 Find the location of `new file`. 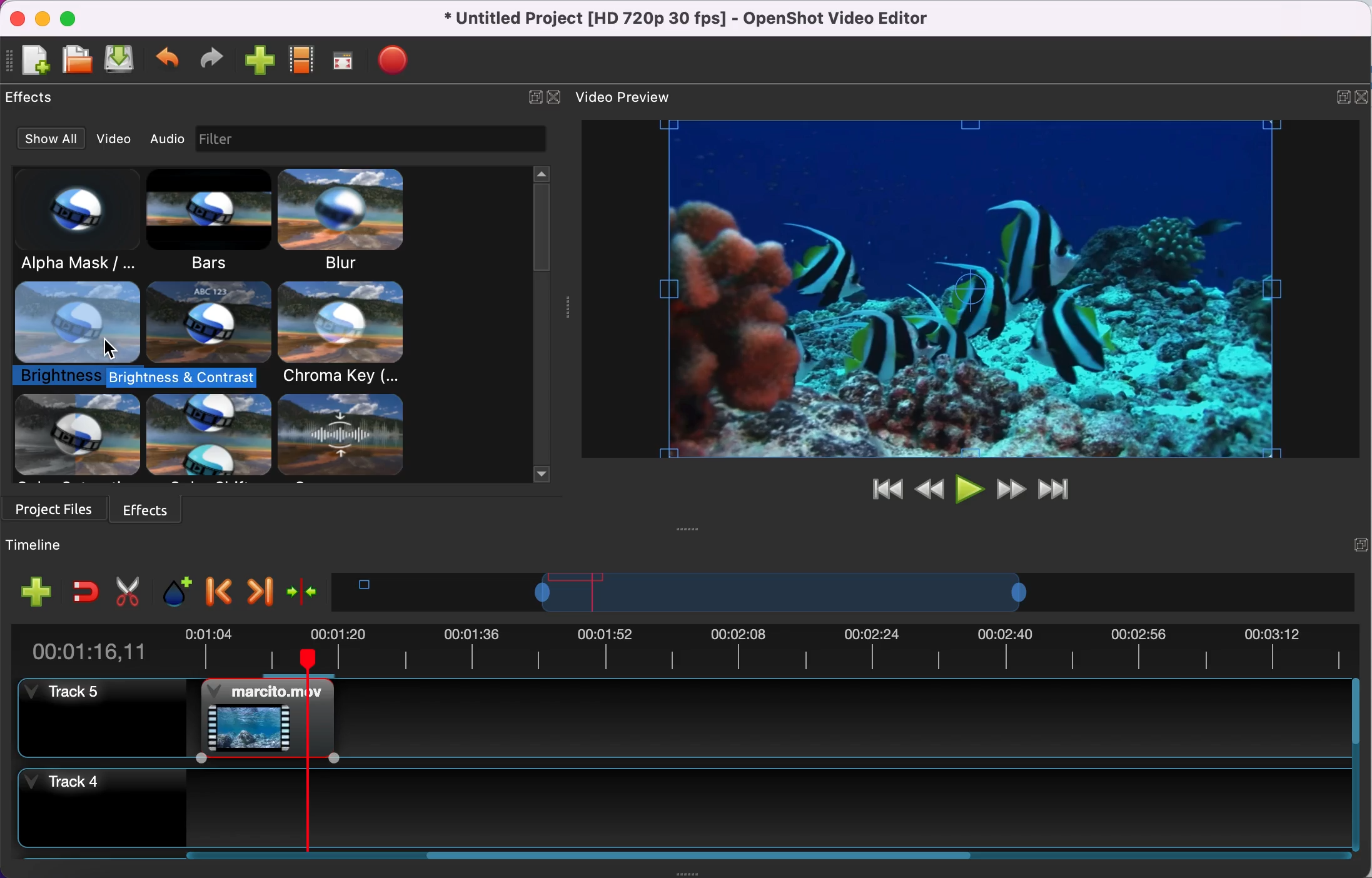

new file is located at coordinates (29, 59).